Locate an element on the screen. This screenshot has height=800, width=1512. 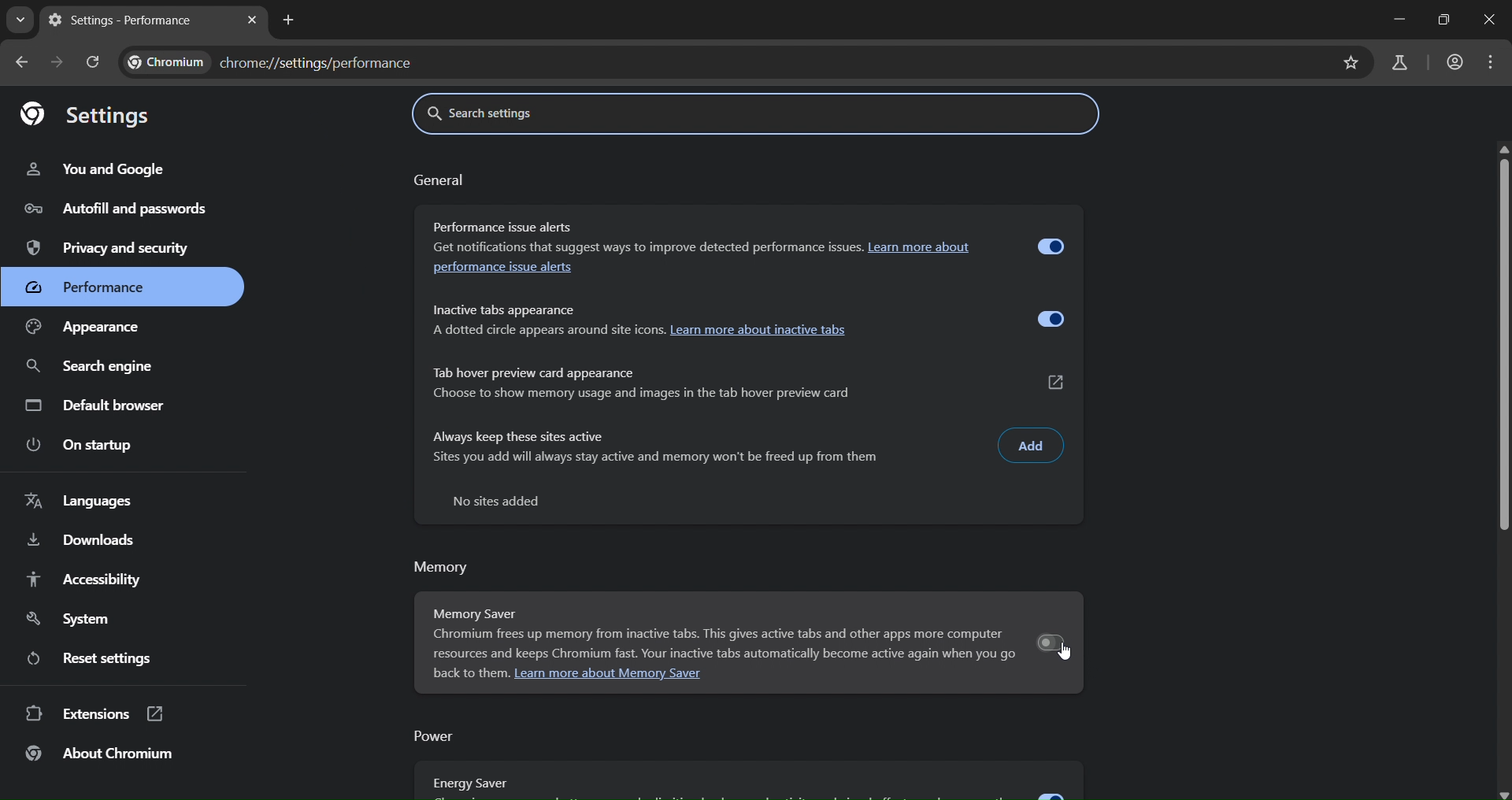
You and Google is located at coordinates (98, 170).